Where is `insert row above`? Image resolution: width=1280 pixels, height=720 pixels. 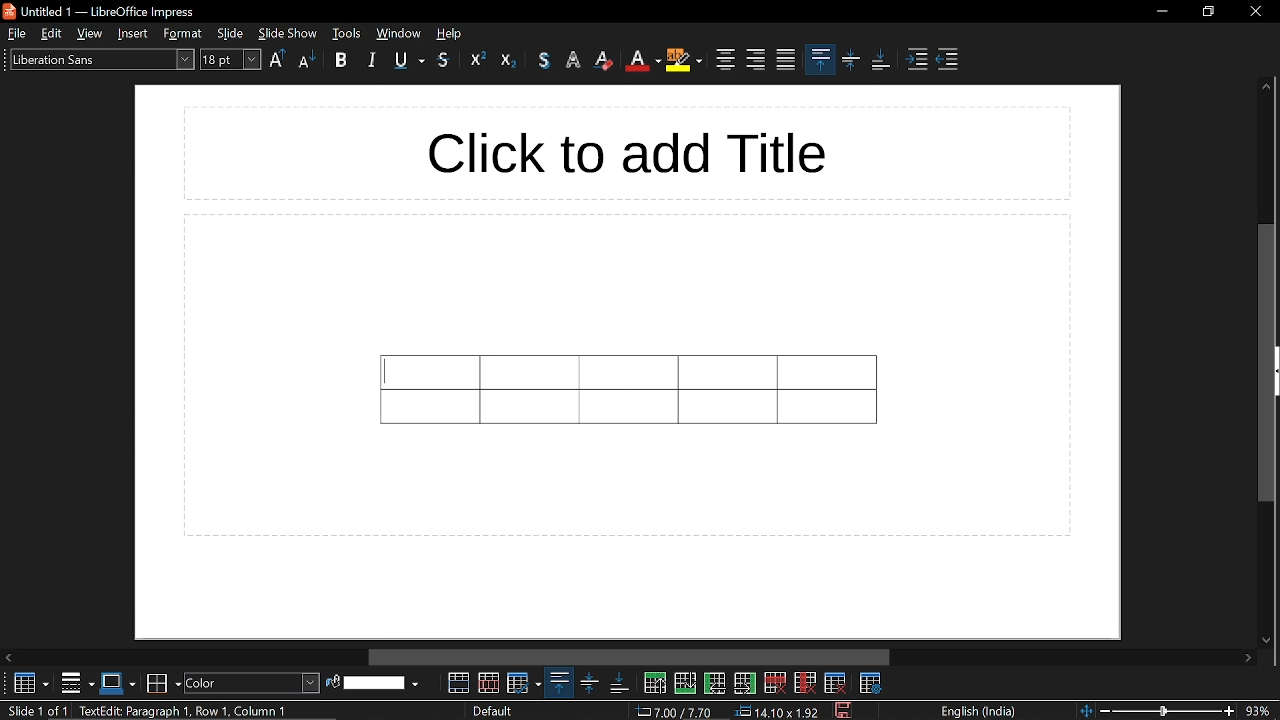
insert row above is located at coordinates (654, 682).